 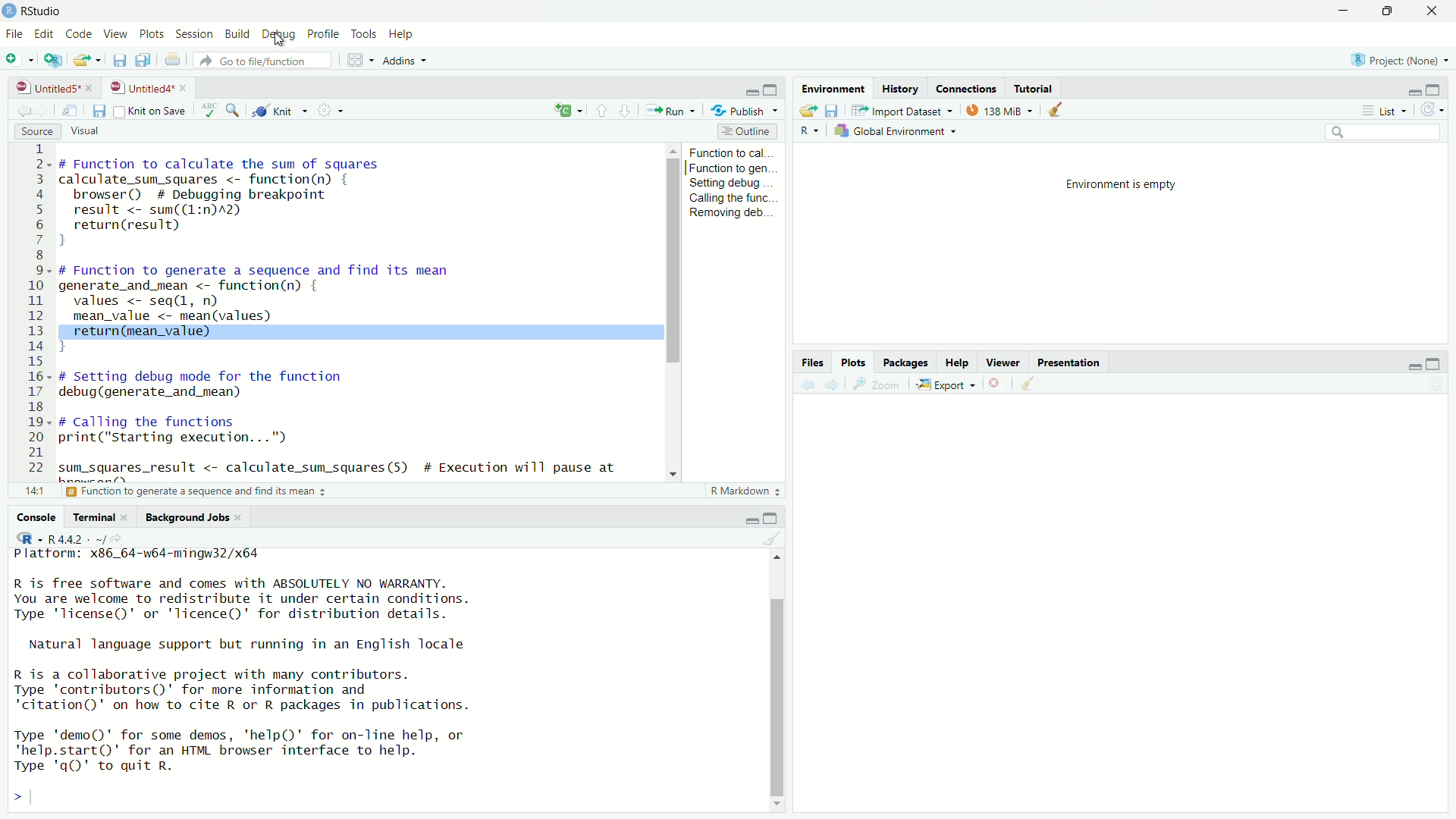 What do you see at coordinates (857, 362) in the screenshot?
I see `plots` at bounding box center [857, 362].